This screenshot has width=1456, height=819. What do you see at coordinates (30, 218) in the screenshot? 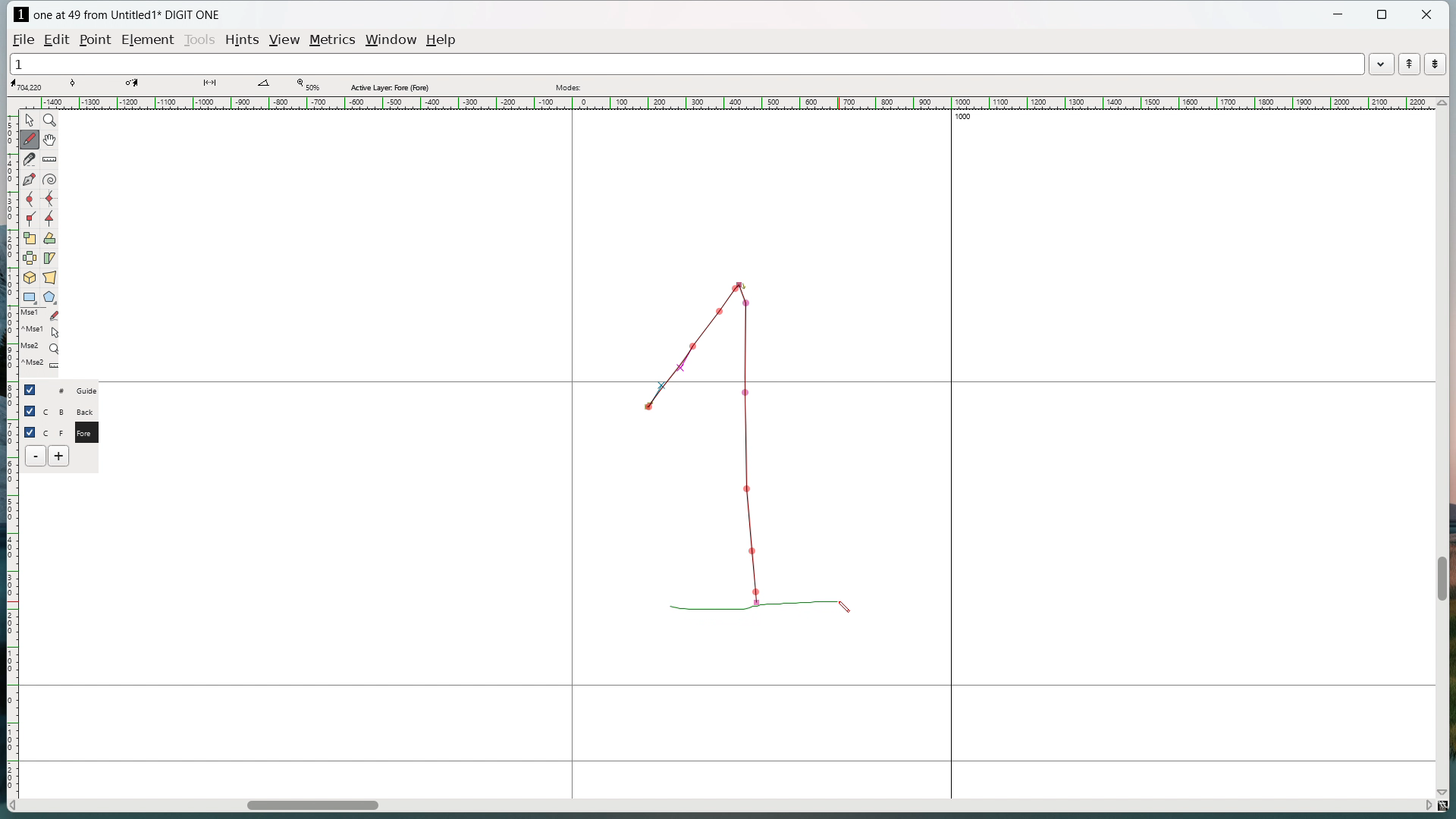
I see `add a corner point` at bounding box center [30, 218].